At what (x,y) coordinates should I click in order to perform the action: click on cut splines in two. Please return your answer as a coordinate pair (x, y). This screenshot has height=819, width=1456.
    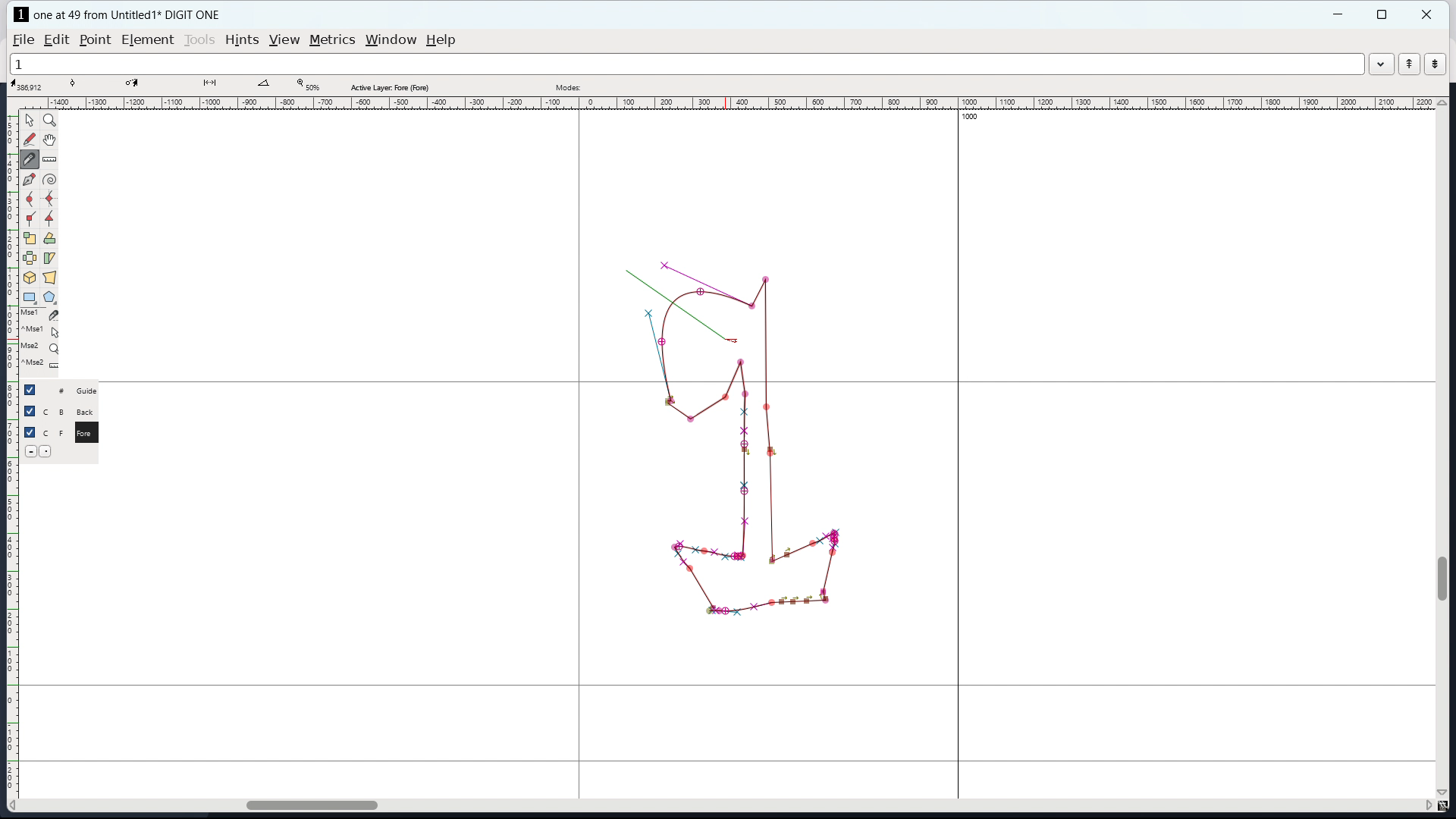
    Looking at the image, I should click on (32, 161).